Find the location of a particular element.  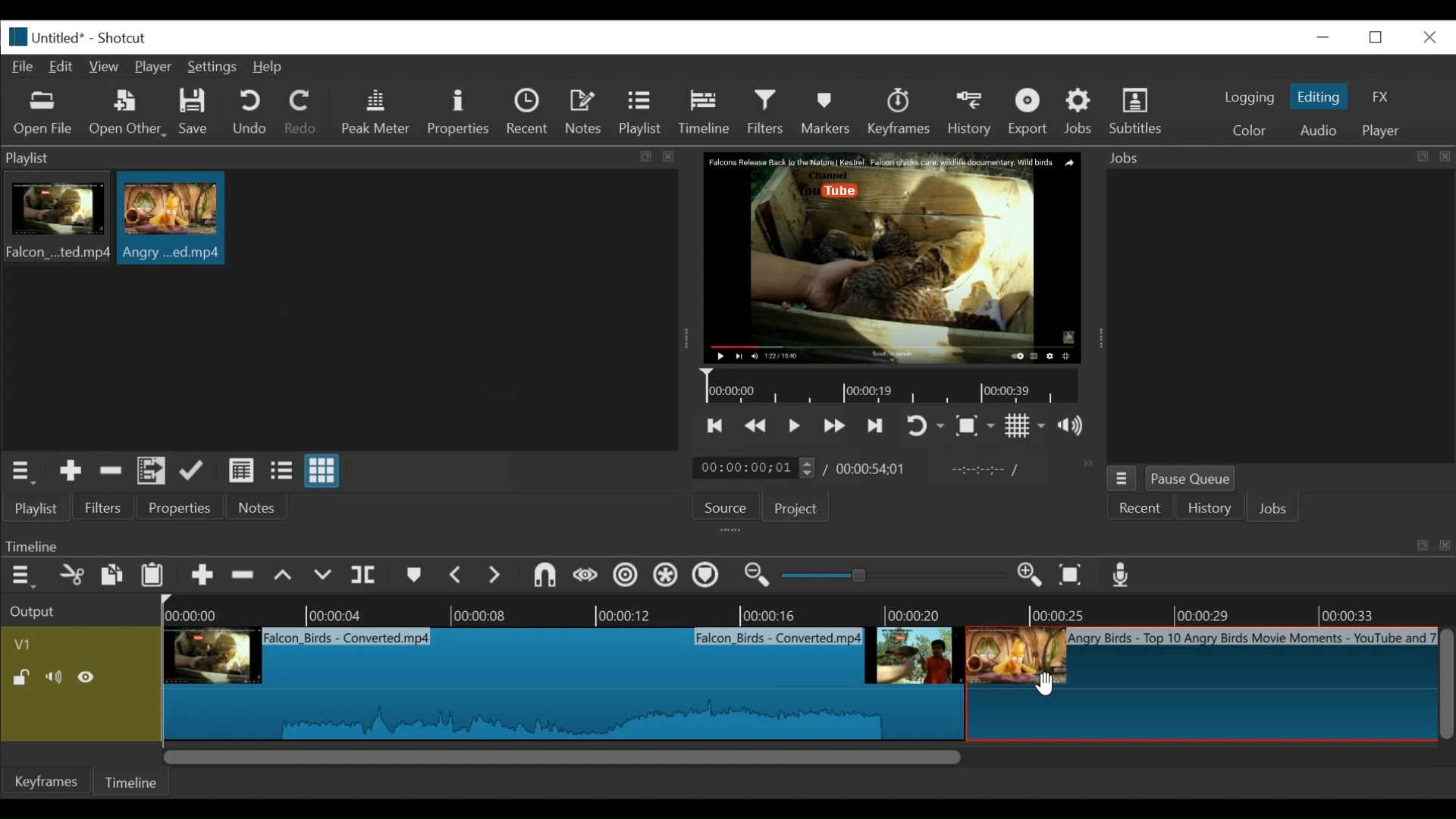

slider is located at coordinates (889, 576).